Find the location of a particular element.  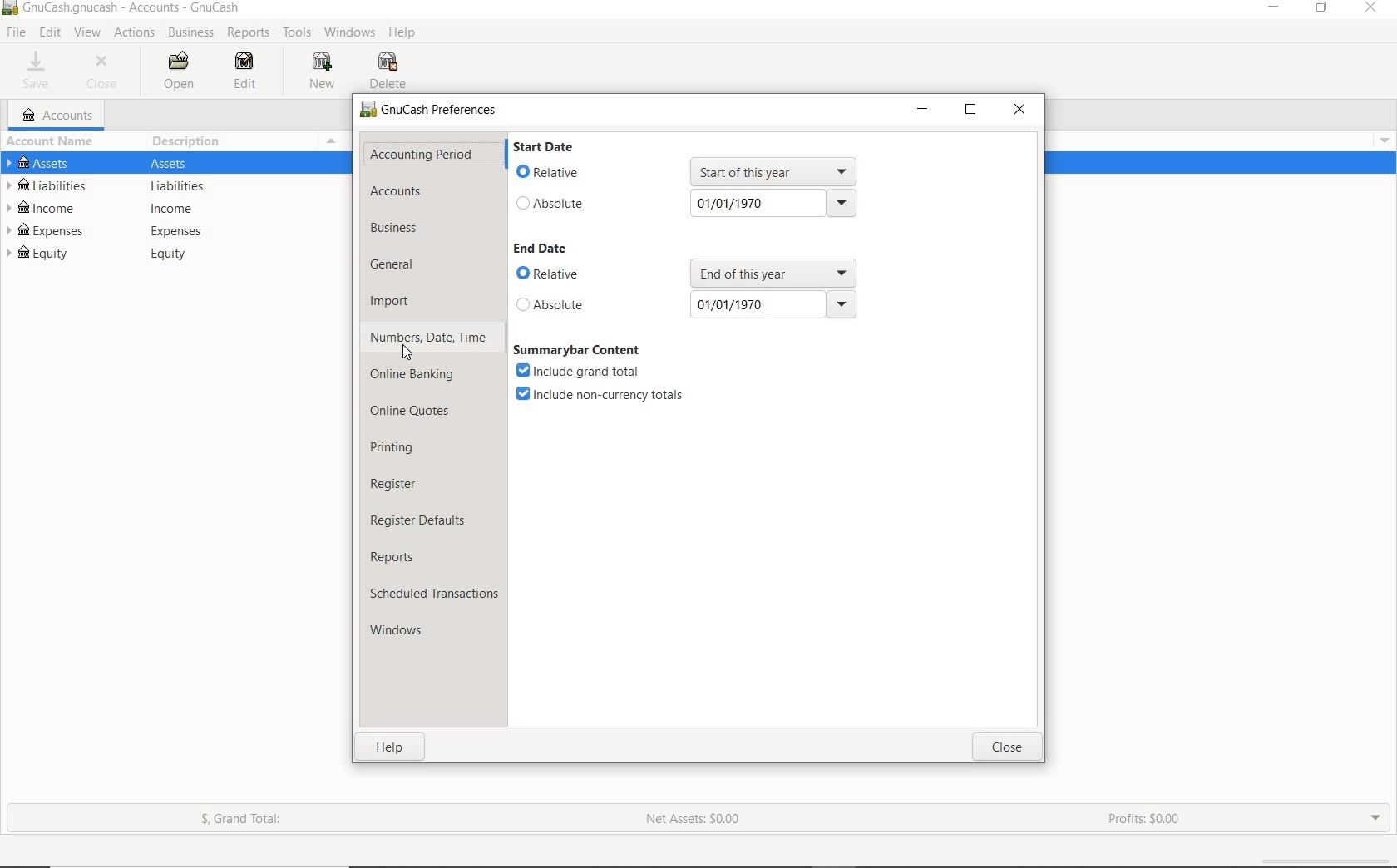

restore down is located at coordinates (975, 113).